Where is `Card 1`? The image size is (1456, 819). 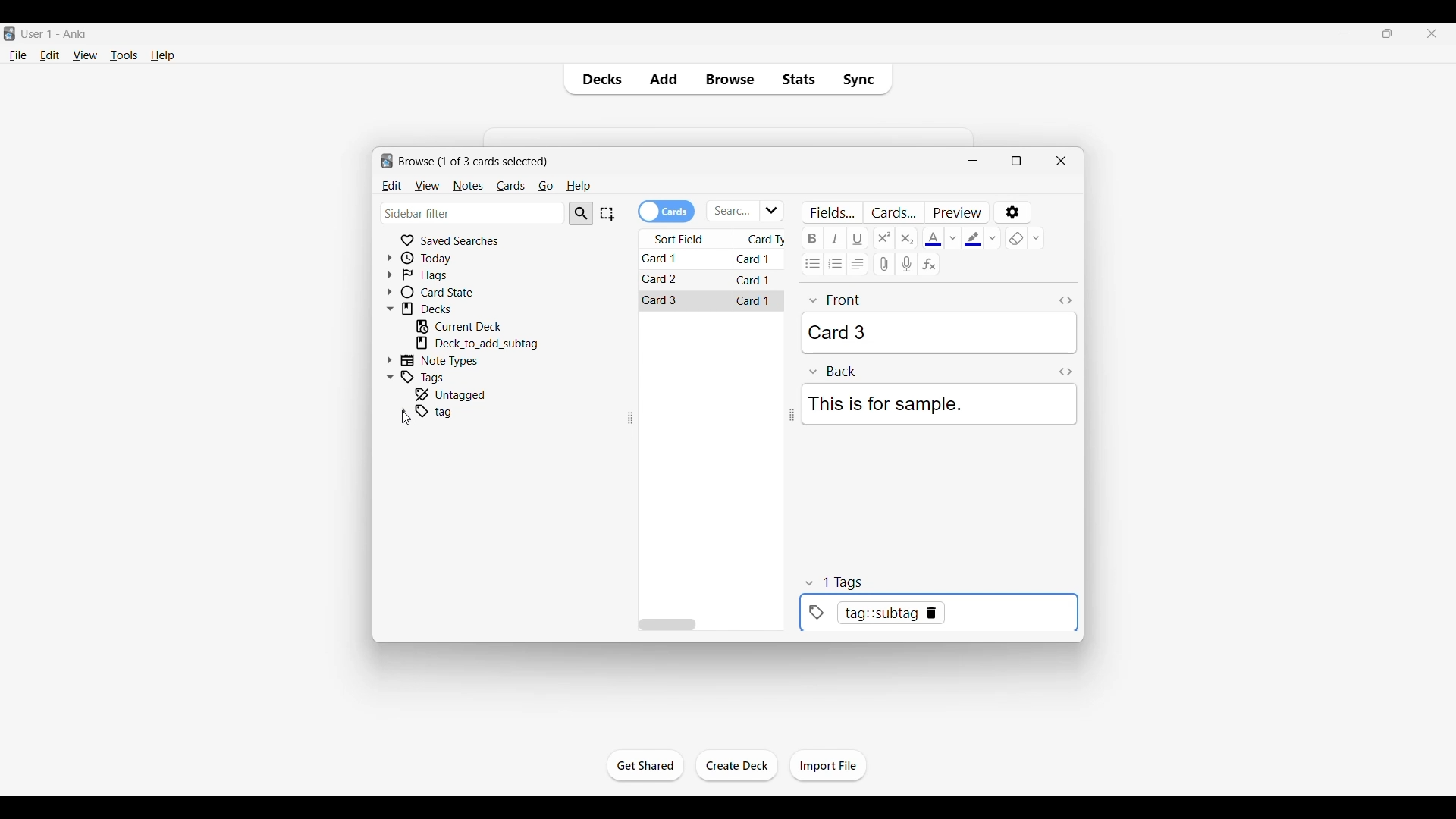
Card 1 is located at coordinates (754, 279).